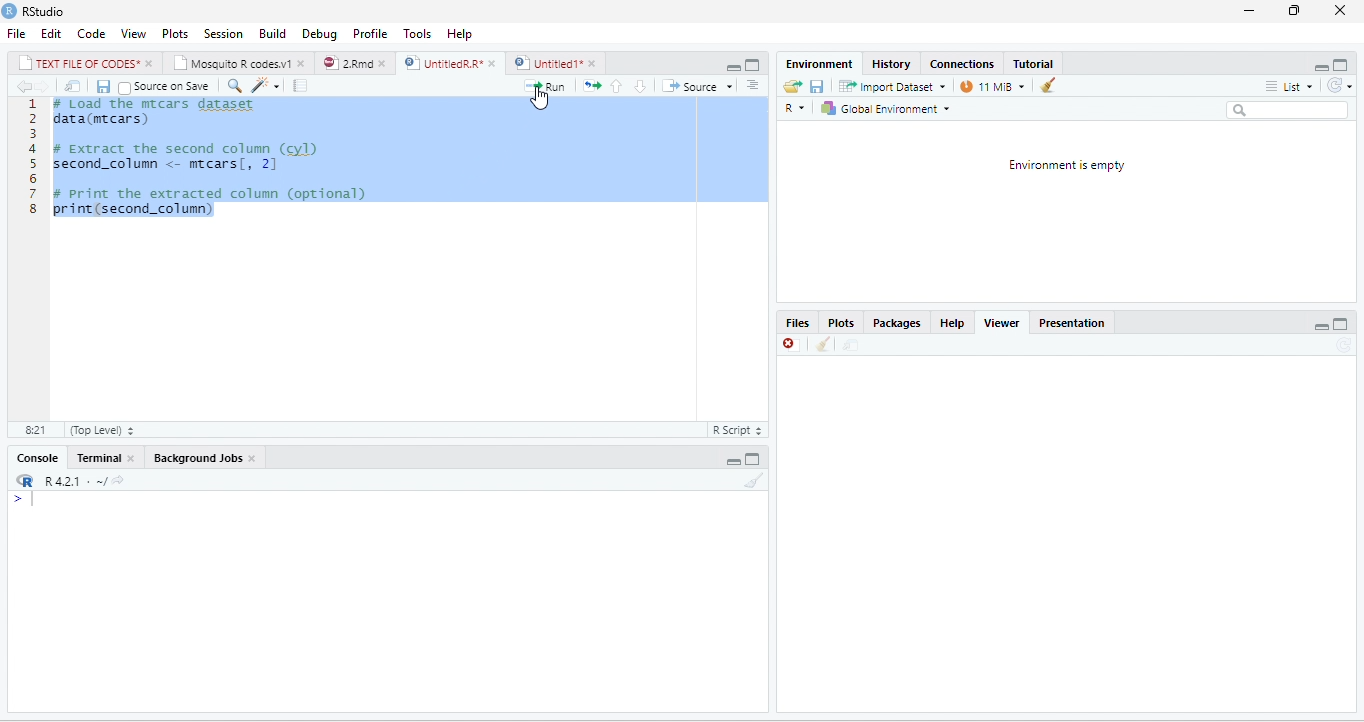 This screenshot has height=722, width=1364. What do you see at coordinates (737, 431) in the screenshot?
I see `R script` at bounding box center [737, 431].